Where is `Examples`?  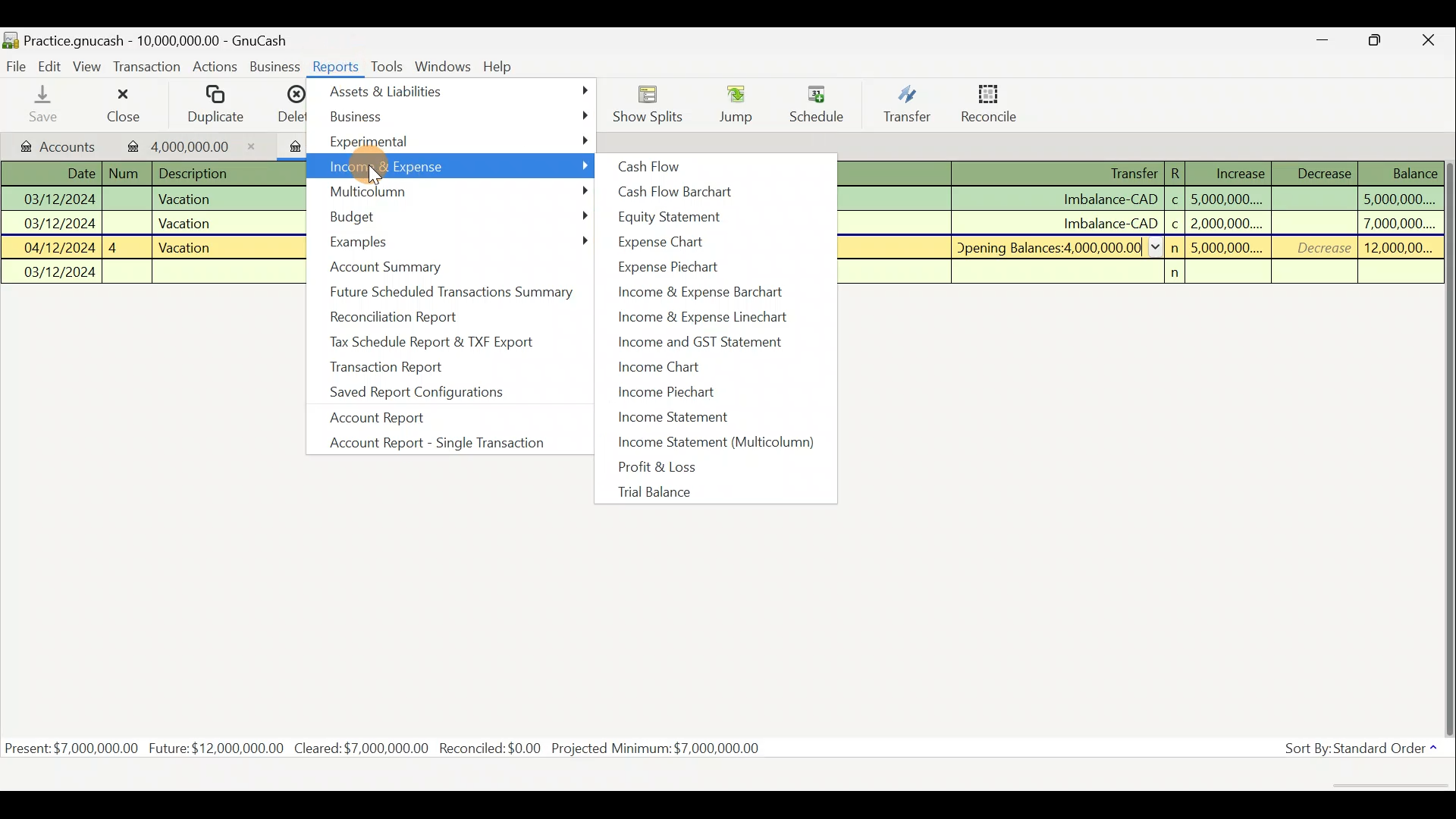 Examples is located at coordinates (456, 242).